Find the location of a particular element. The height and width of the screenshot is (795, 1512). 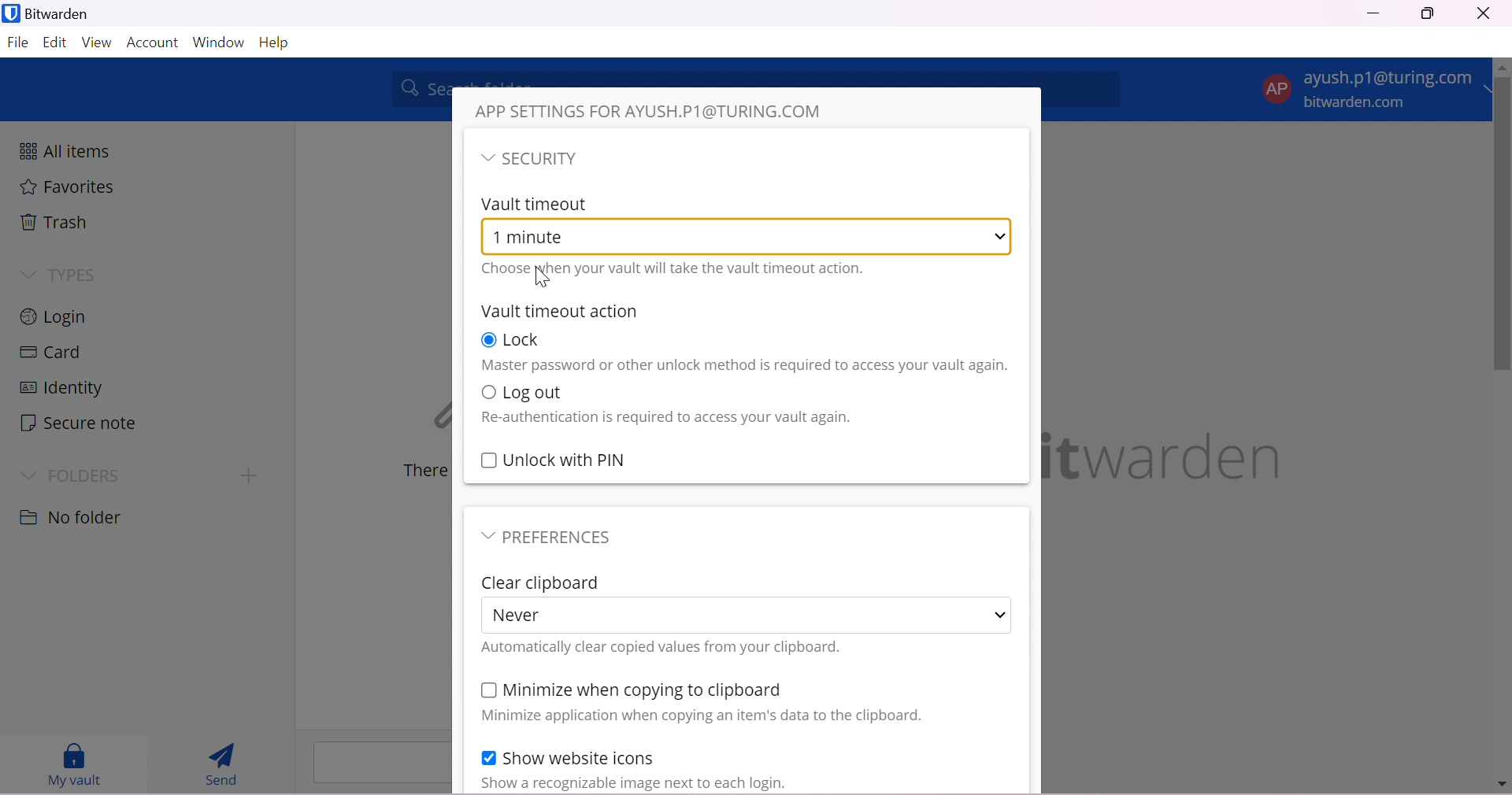

Card is located at coordinates (51, 352).